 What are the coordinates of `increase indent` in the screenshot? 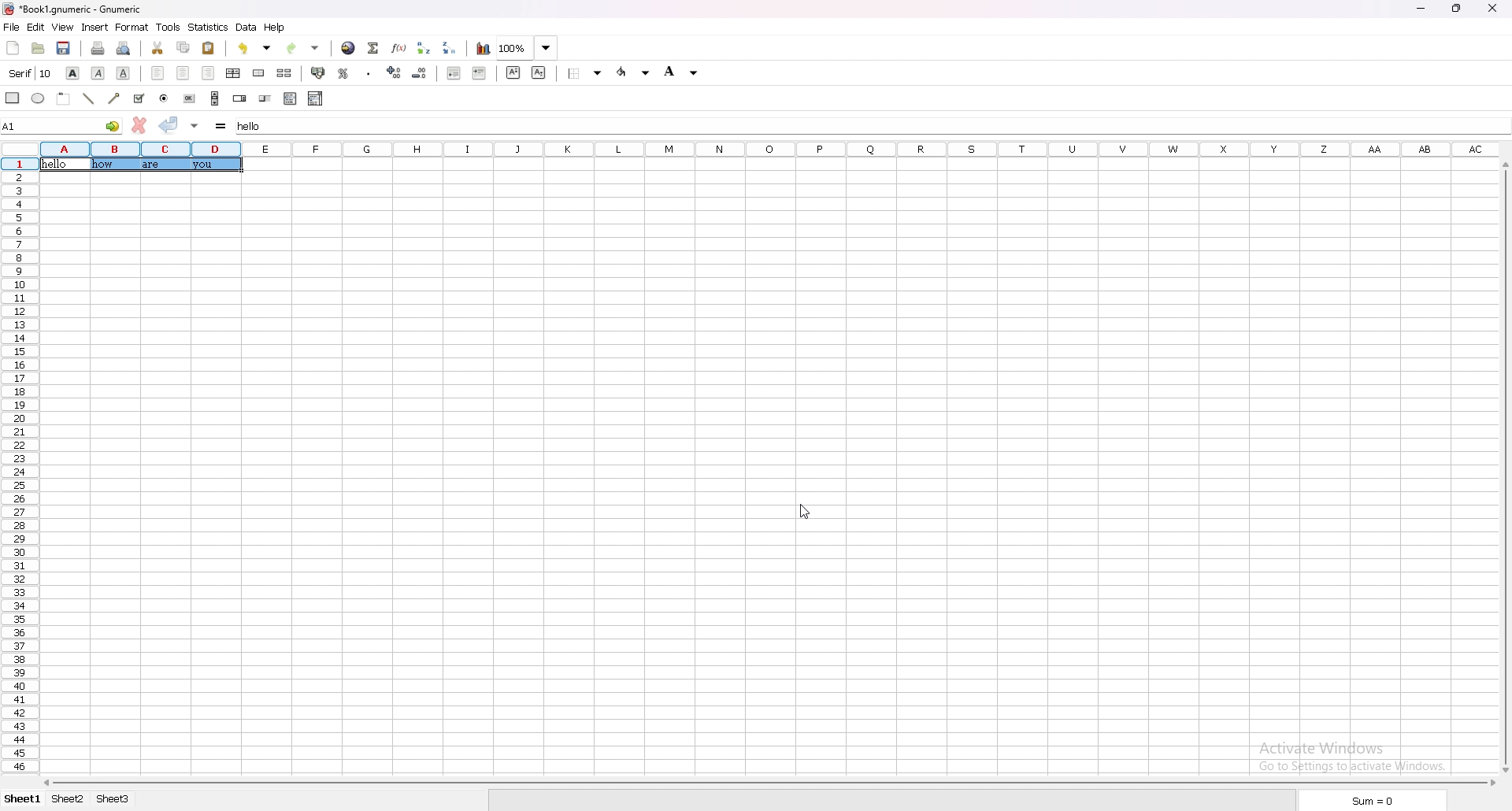 It's located at (480, 74).